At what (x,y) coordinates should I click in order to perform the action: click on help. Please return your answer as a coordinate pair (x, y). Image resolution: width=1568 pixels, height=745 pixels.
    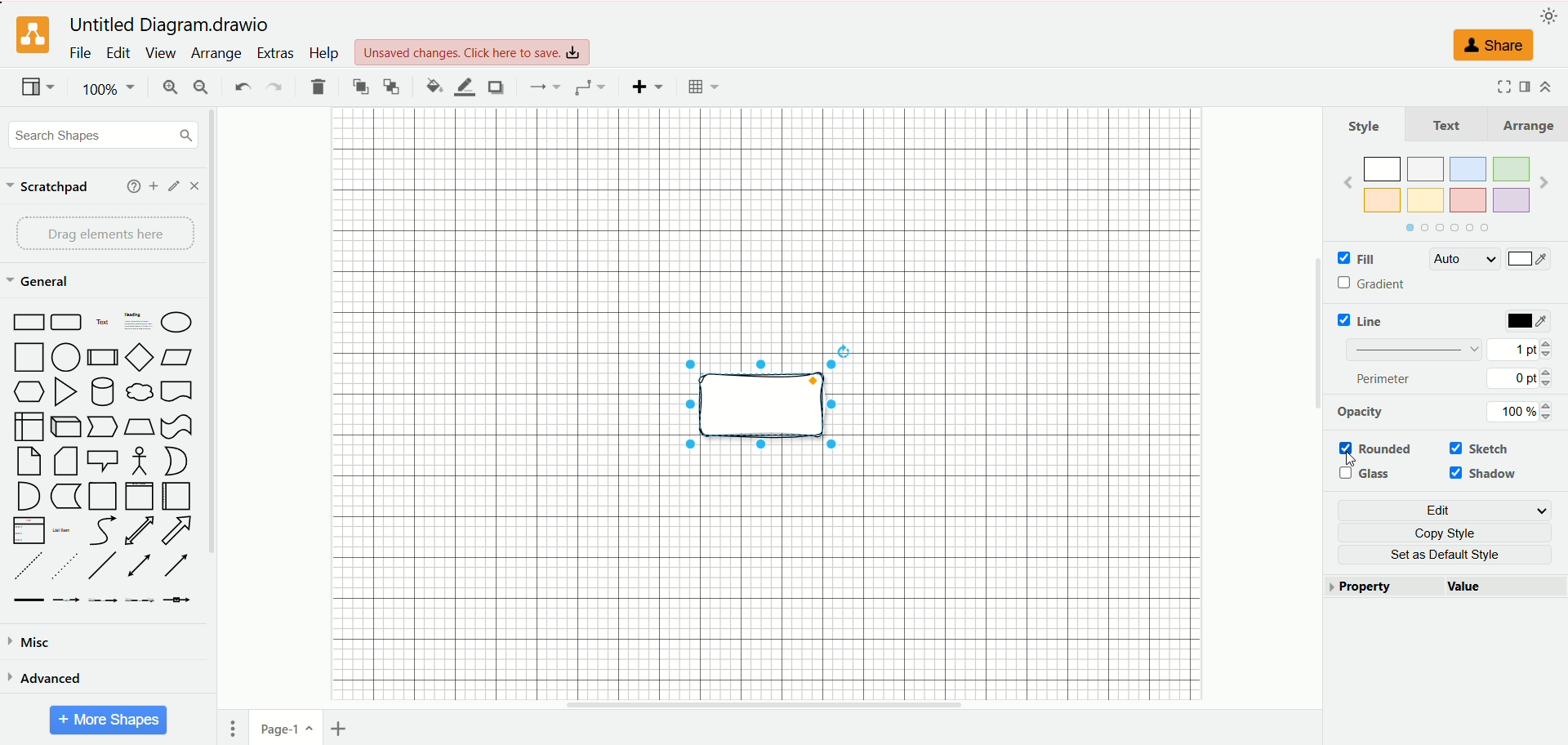
    Looking at the image, I should click on (323, 52).